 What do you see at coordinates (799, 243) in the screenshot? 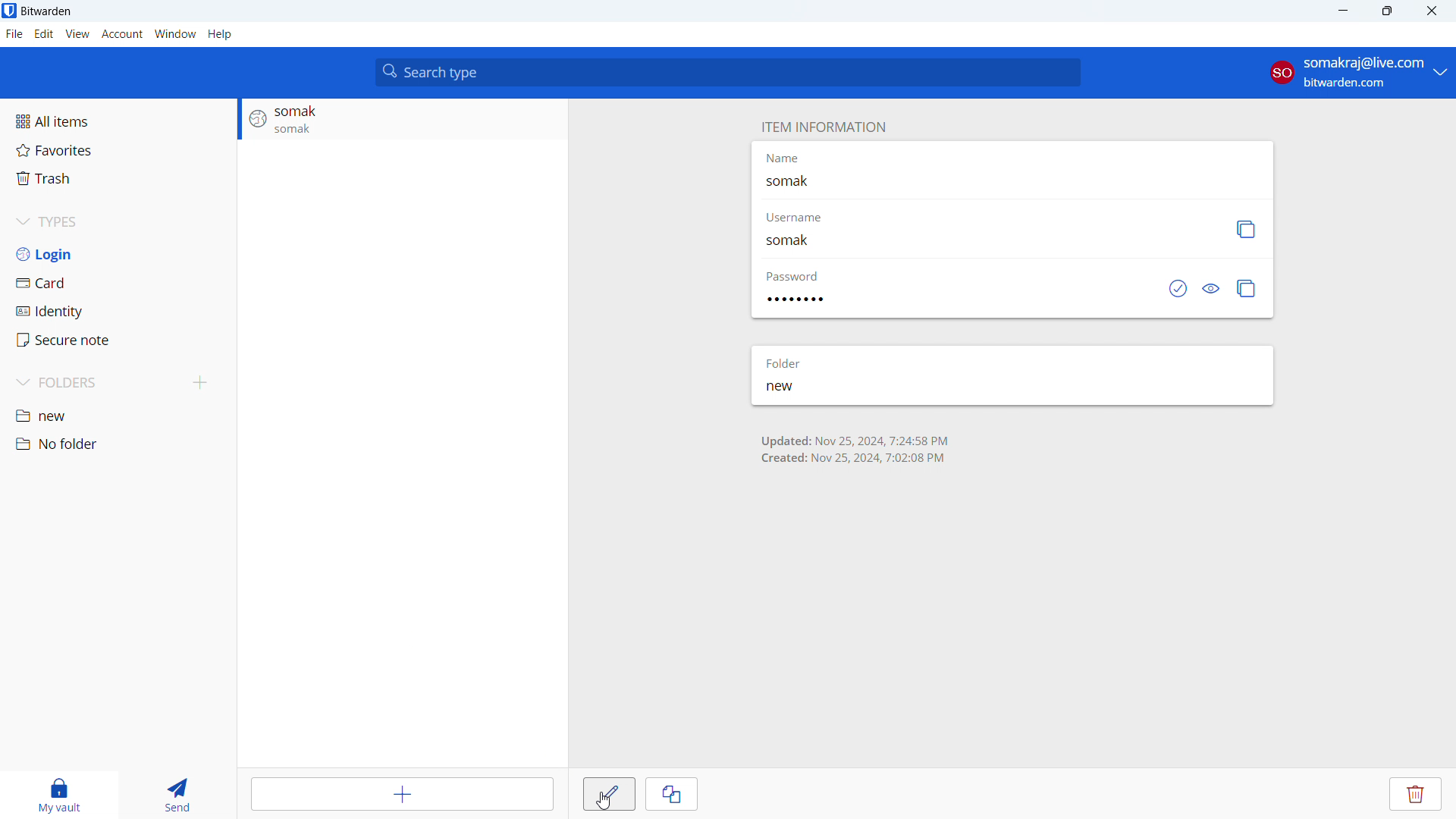
I see `somak` at bounding box center [799, 243].